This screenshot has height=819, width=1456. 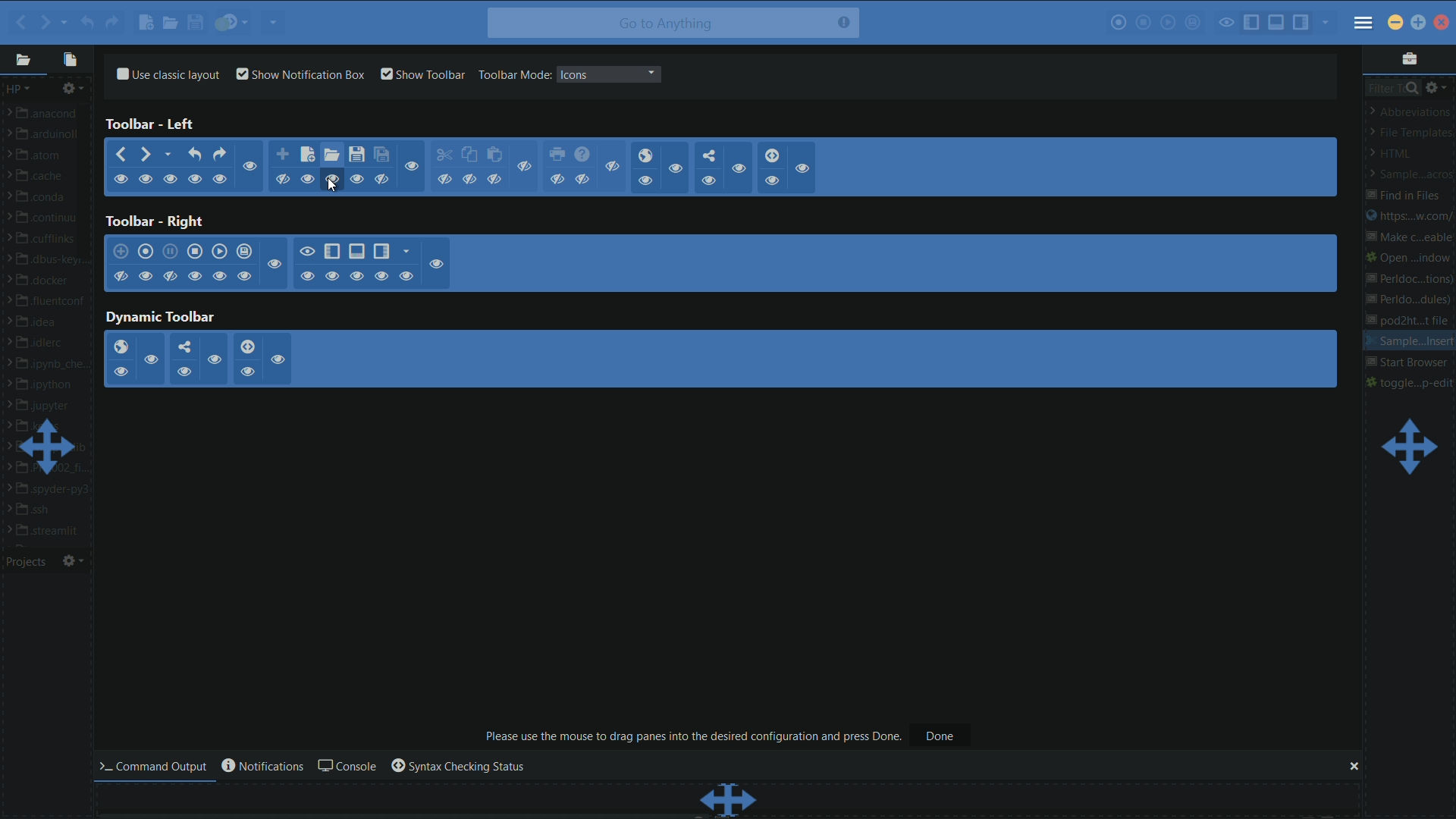 I want to click on Perldo...dules), so click(x=1410, y=301).